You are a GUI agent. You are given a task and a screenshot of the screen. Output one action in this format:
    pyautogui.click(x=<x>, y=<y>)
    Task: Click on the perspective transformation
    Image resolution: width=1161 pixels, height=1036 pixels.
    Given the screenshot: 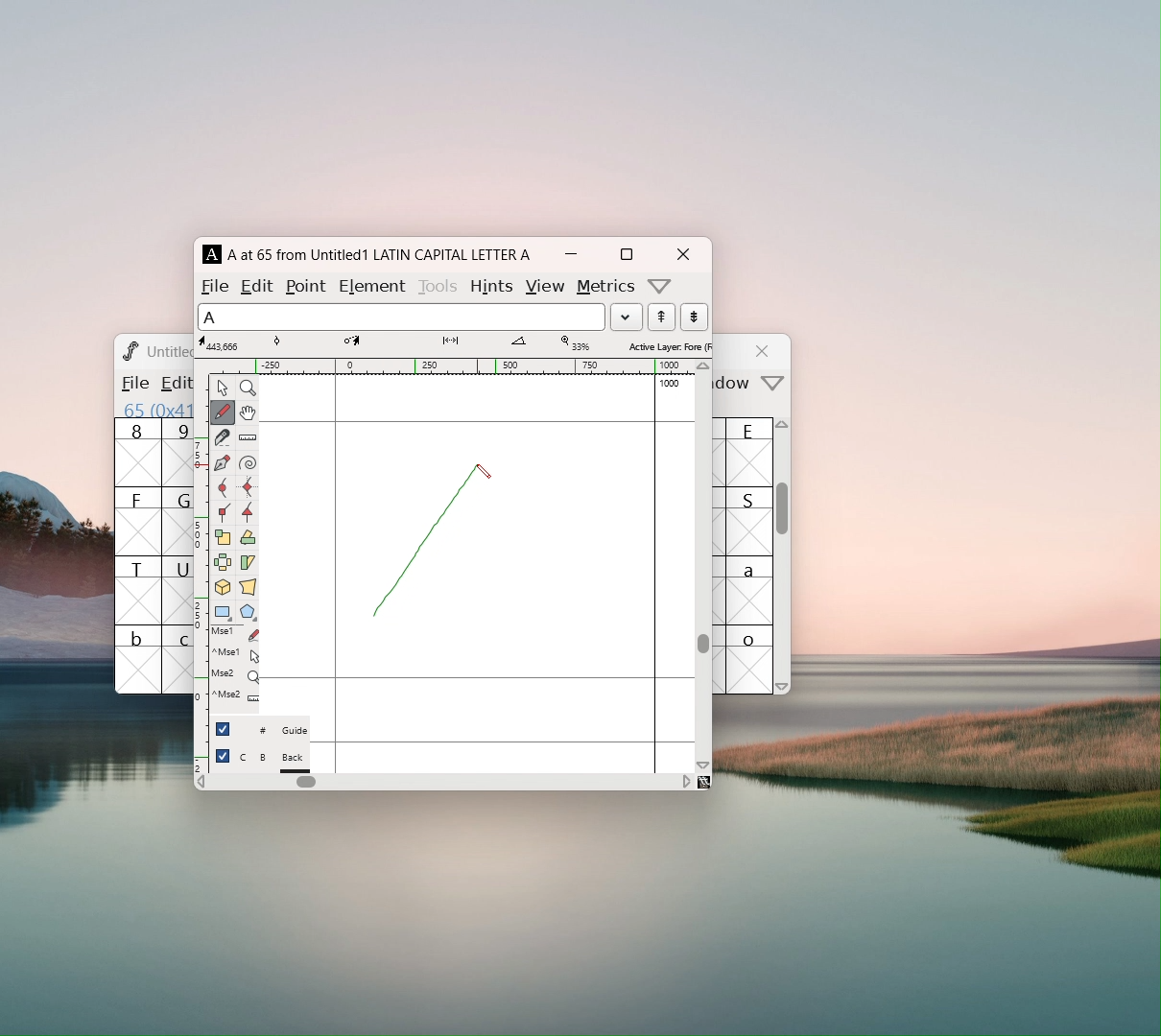 What is the action you would take?
    pyautogui.click(x=248, y=589)
    